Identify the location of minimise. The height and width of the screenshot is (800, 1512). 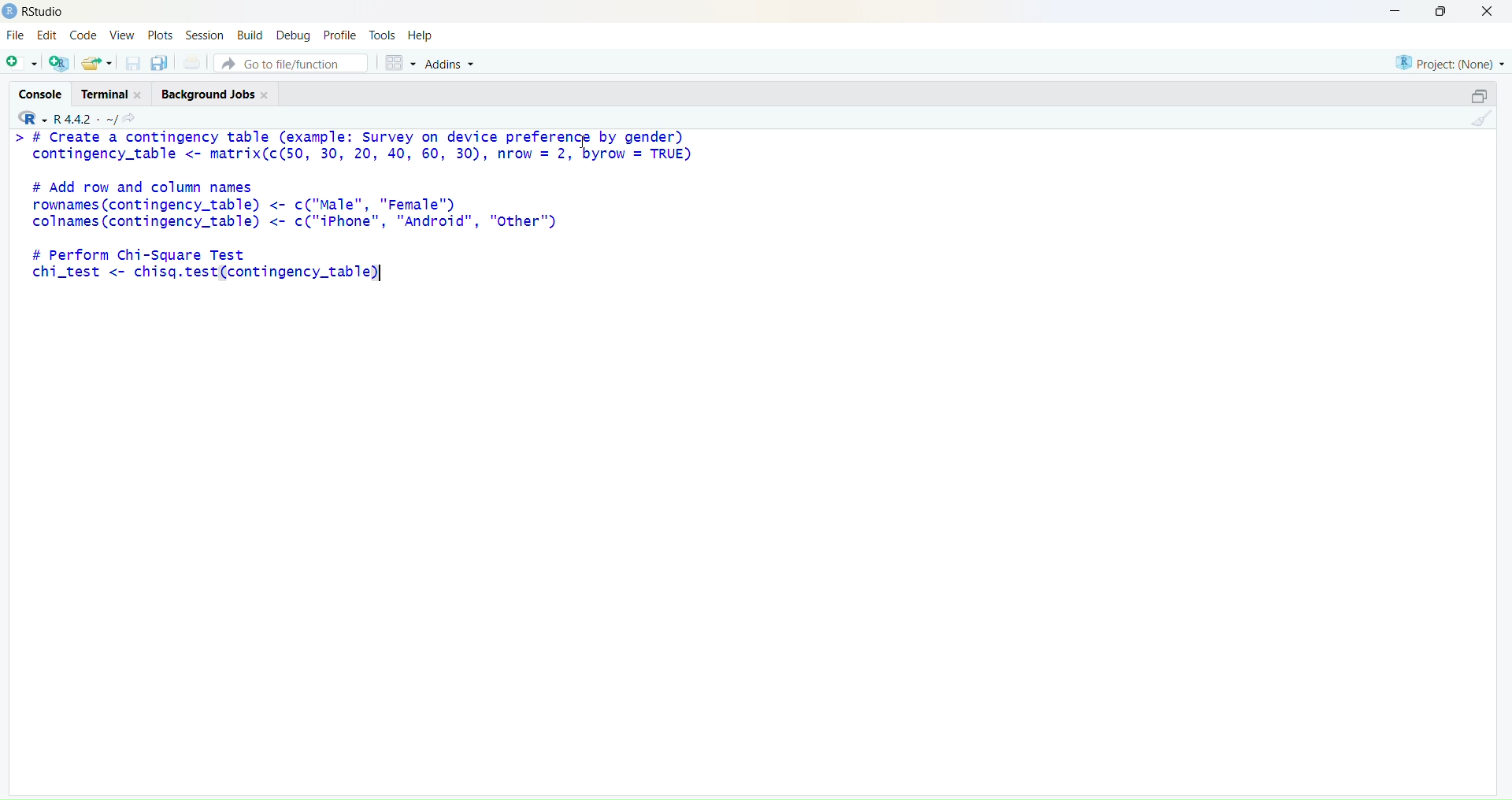
(1398, 9).